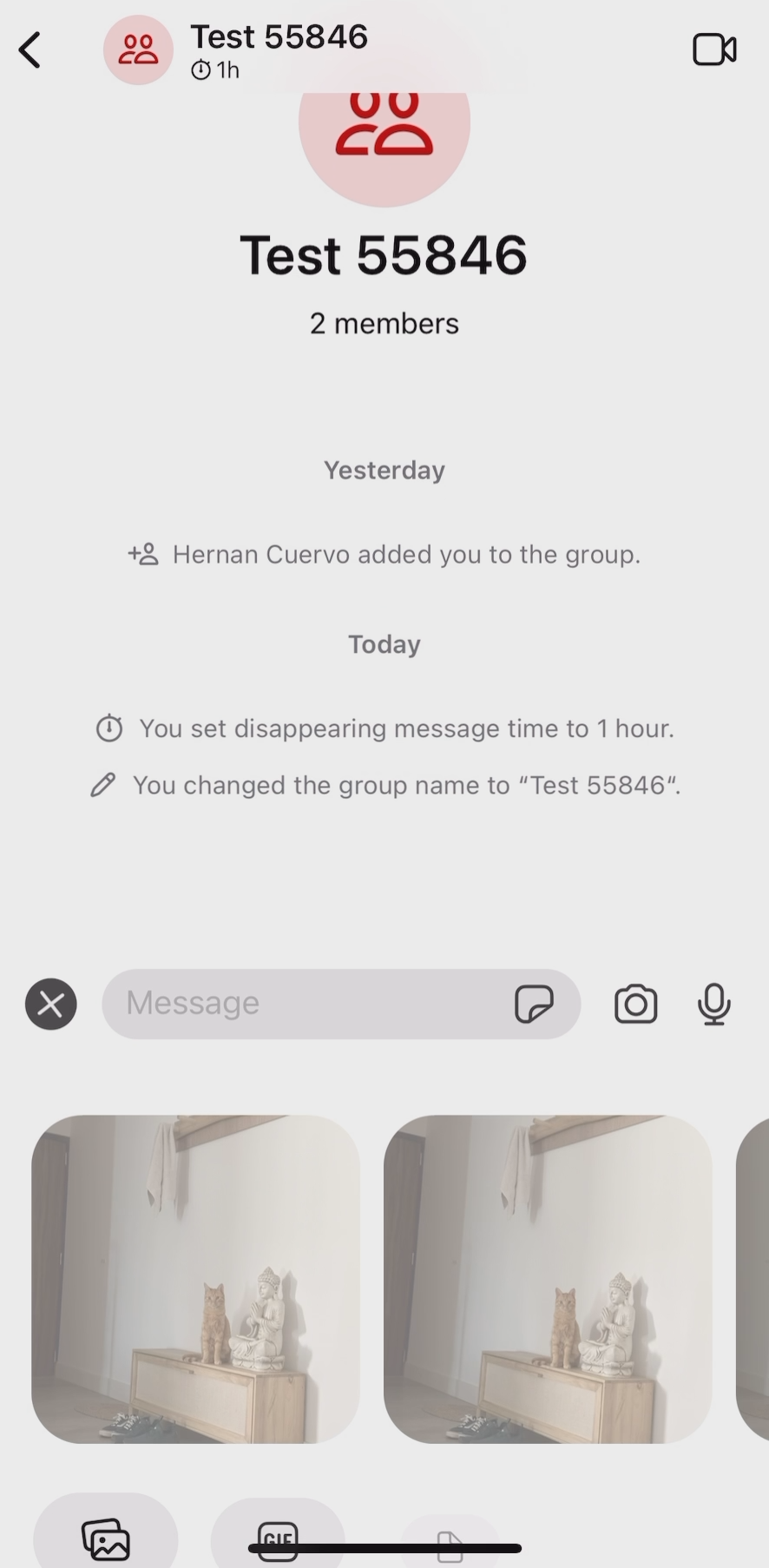 This screenshot has width=769, height=1568. I want to click on @ You set disappearing message time to 1 hour., so click(377, 717).